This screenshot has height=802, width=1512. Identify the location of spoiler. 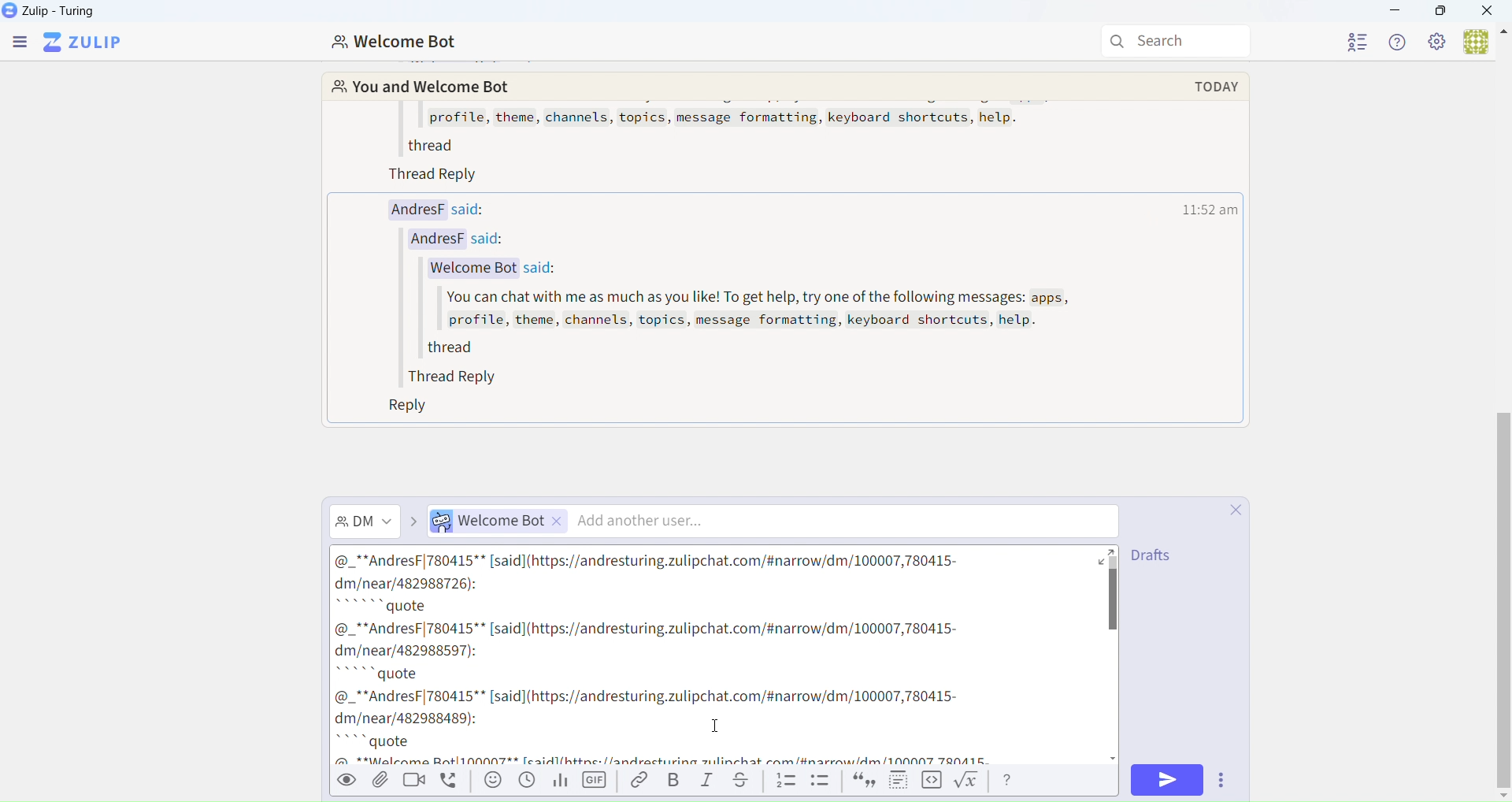
(899, 782).